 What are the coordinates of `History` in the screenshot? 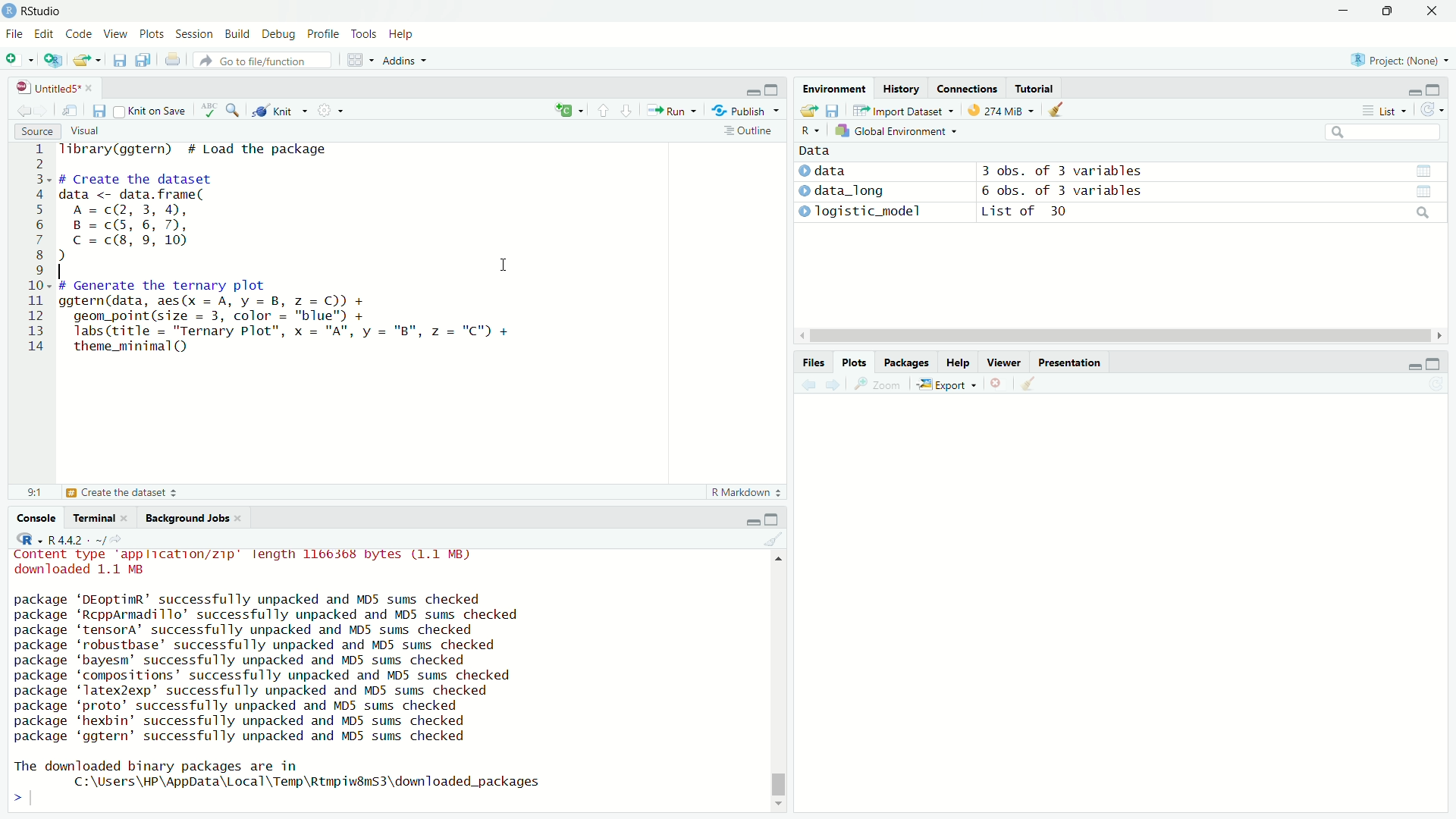 It's located at (900, 89).